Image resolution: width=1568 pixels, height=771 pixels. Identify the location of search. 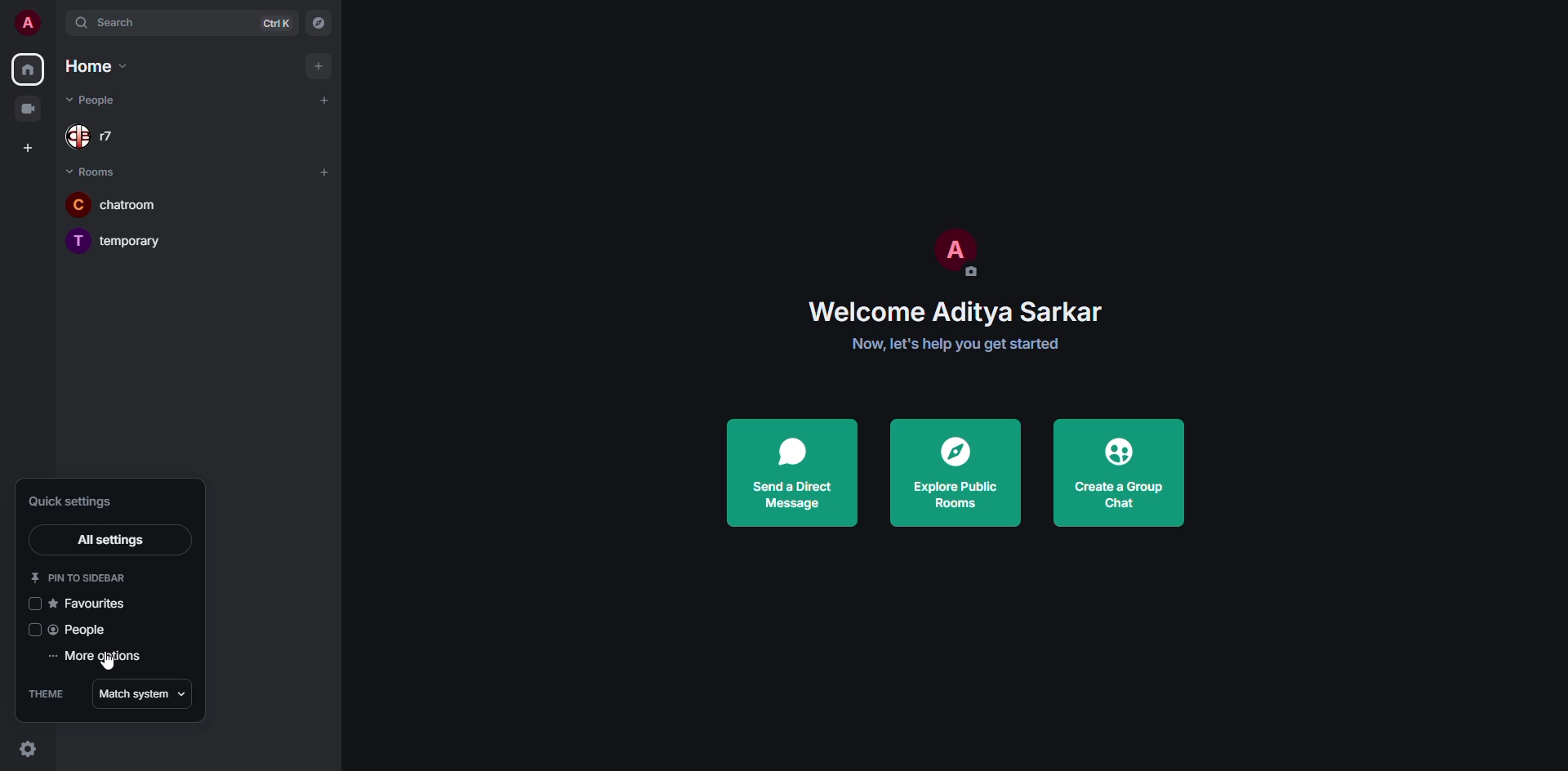
(125, 23).